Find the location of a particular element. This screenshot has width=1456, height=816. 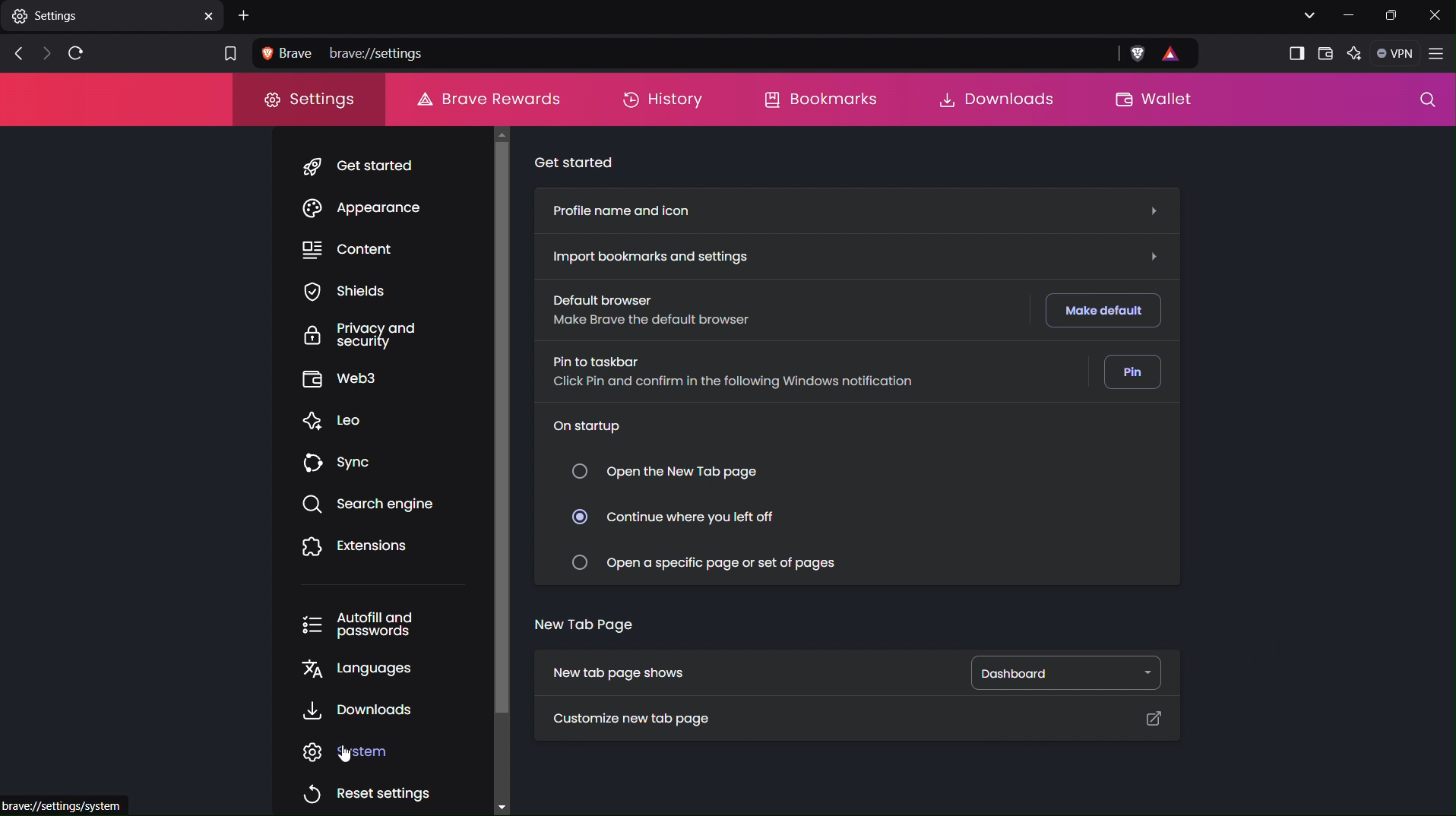

Get Started is located at coordinates (580, 162).